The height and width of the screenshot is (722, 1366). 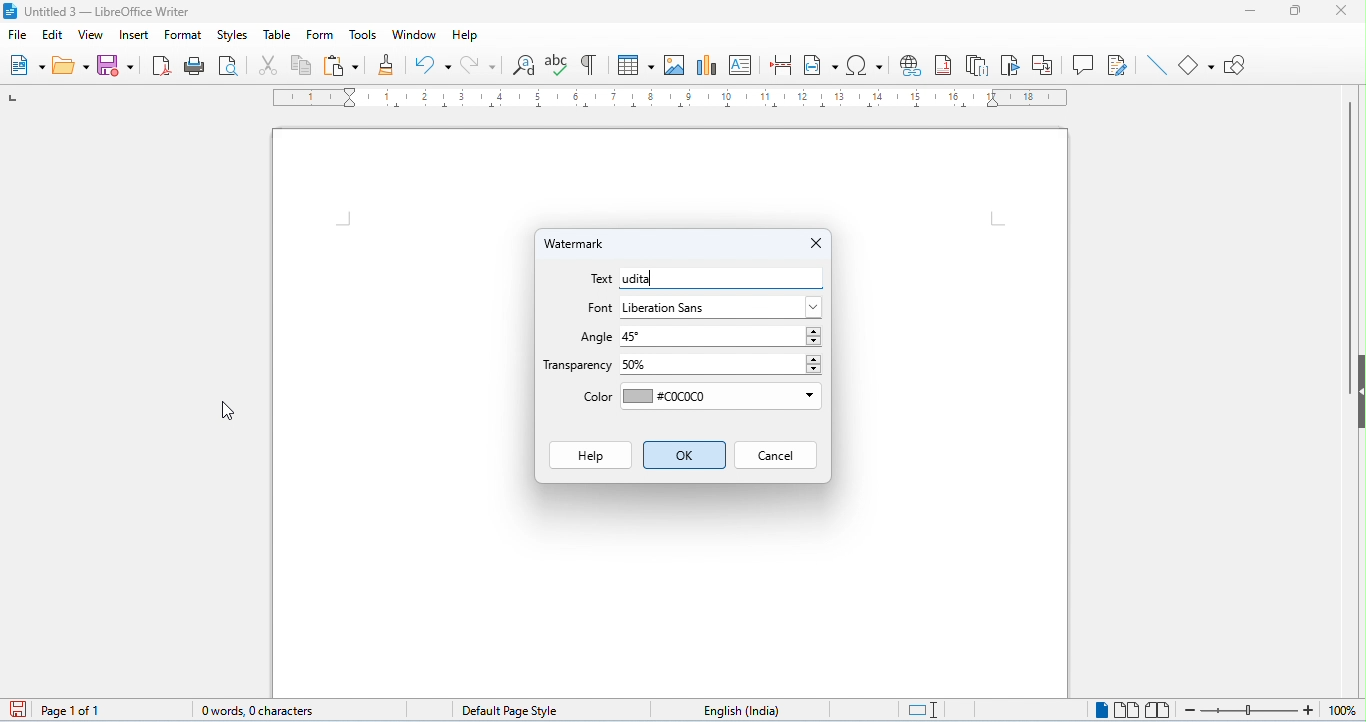 I want to click on export as pdf, so click(x=162, y=65).